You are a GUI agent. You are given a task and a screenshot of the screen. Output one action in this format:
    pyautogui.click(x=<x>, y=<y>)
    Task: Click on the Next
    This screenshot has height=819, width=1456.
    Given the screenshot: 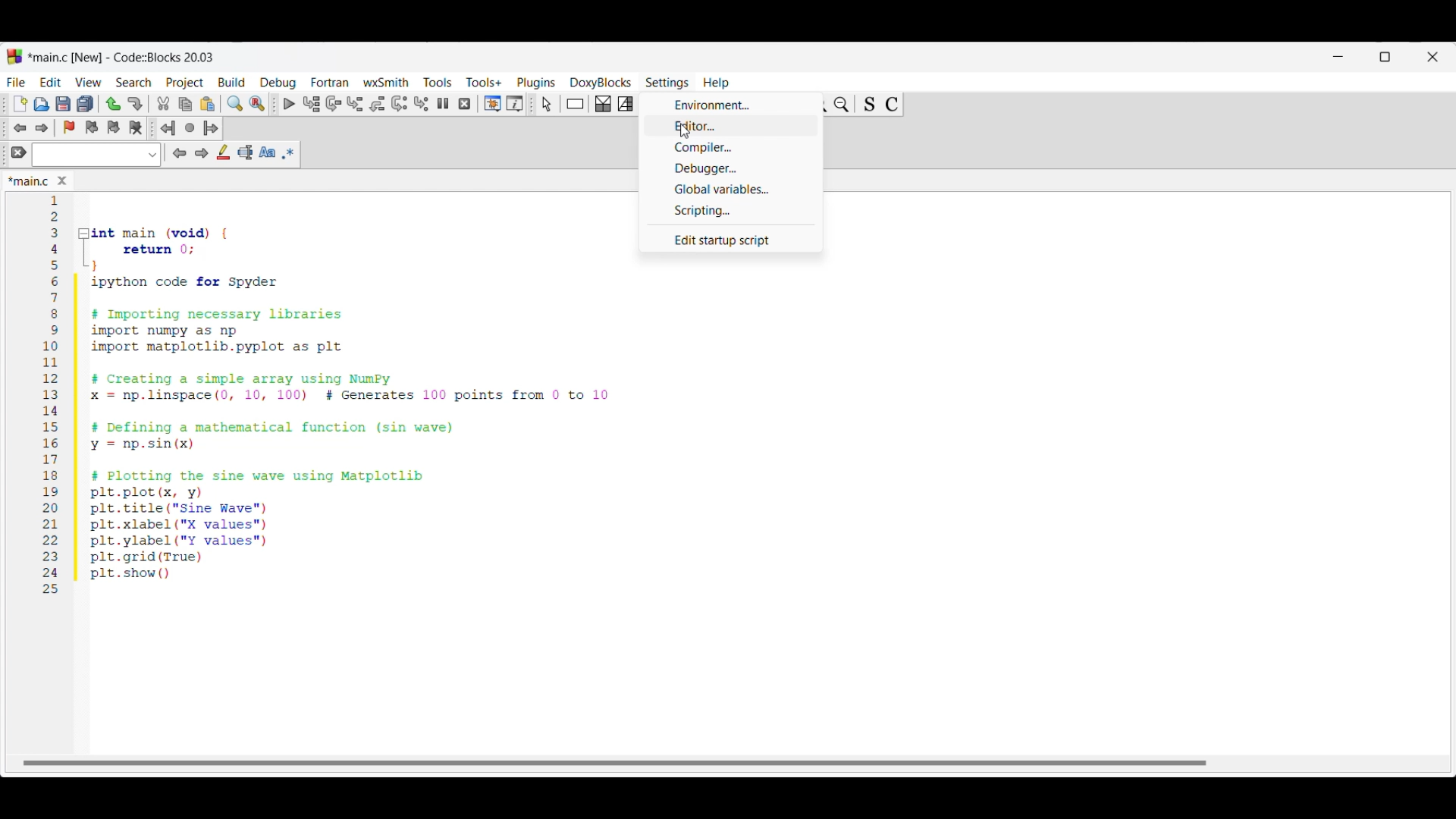 What is the action you would take?
    pyautogui.click(x=201, y=152)
    